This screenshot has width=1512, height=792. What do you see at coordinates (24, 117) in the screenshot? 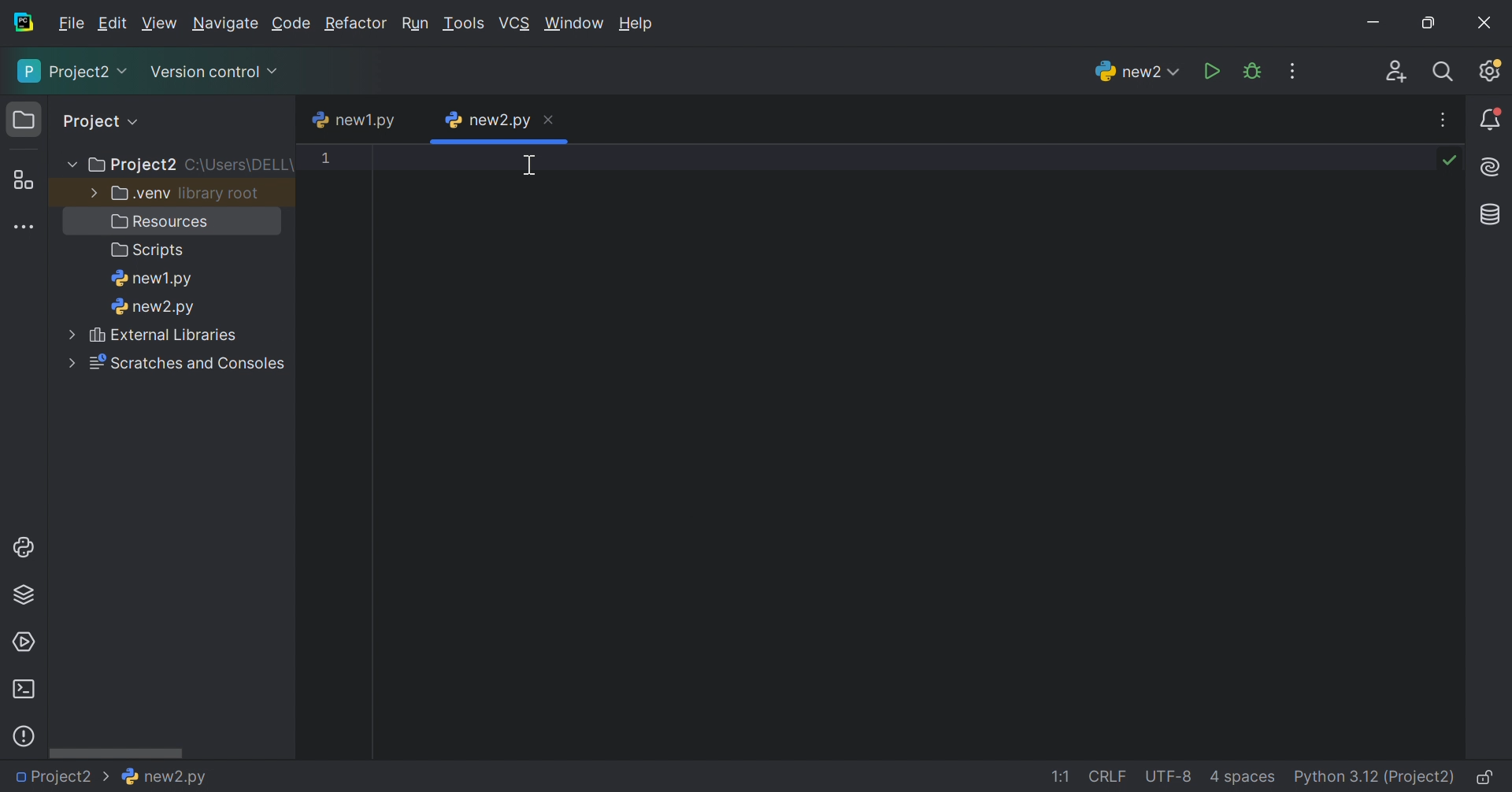
I see `Project icon` at bounding box center [24, 117].